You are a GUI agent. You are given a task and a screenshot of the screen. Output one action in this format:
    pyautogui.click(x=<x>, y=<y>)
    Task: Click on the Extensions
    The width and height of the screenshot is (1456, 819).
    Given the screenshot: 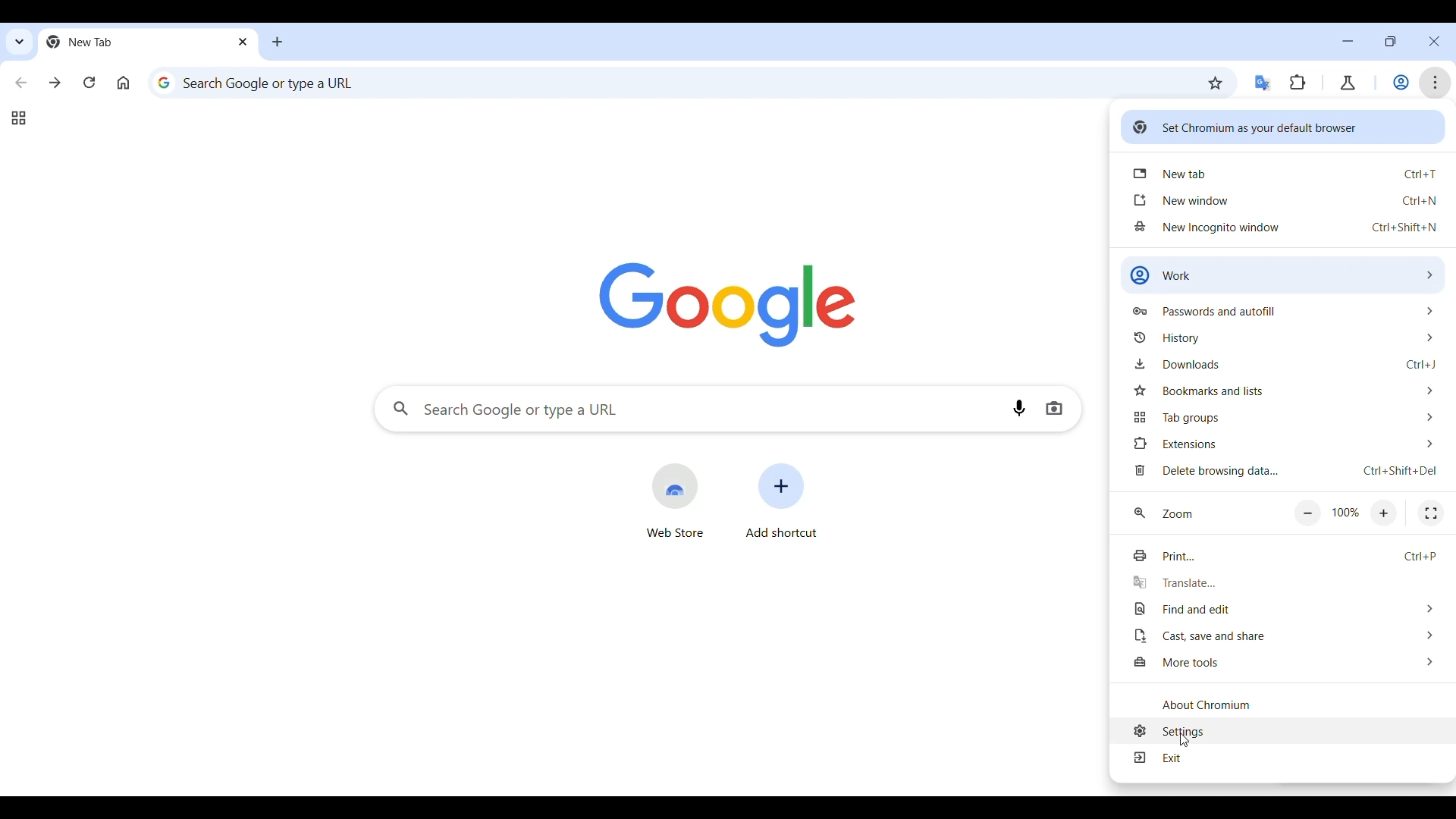 What is the action you would take?
    pyautogui.click(x=1283, y=443)
    